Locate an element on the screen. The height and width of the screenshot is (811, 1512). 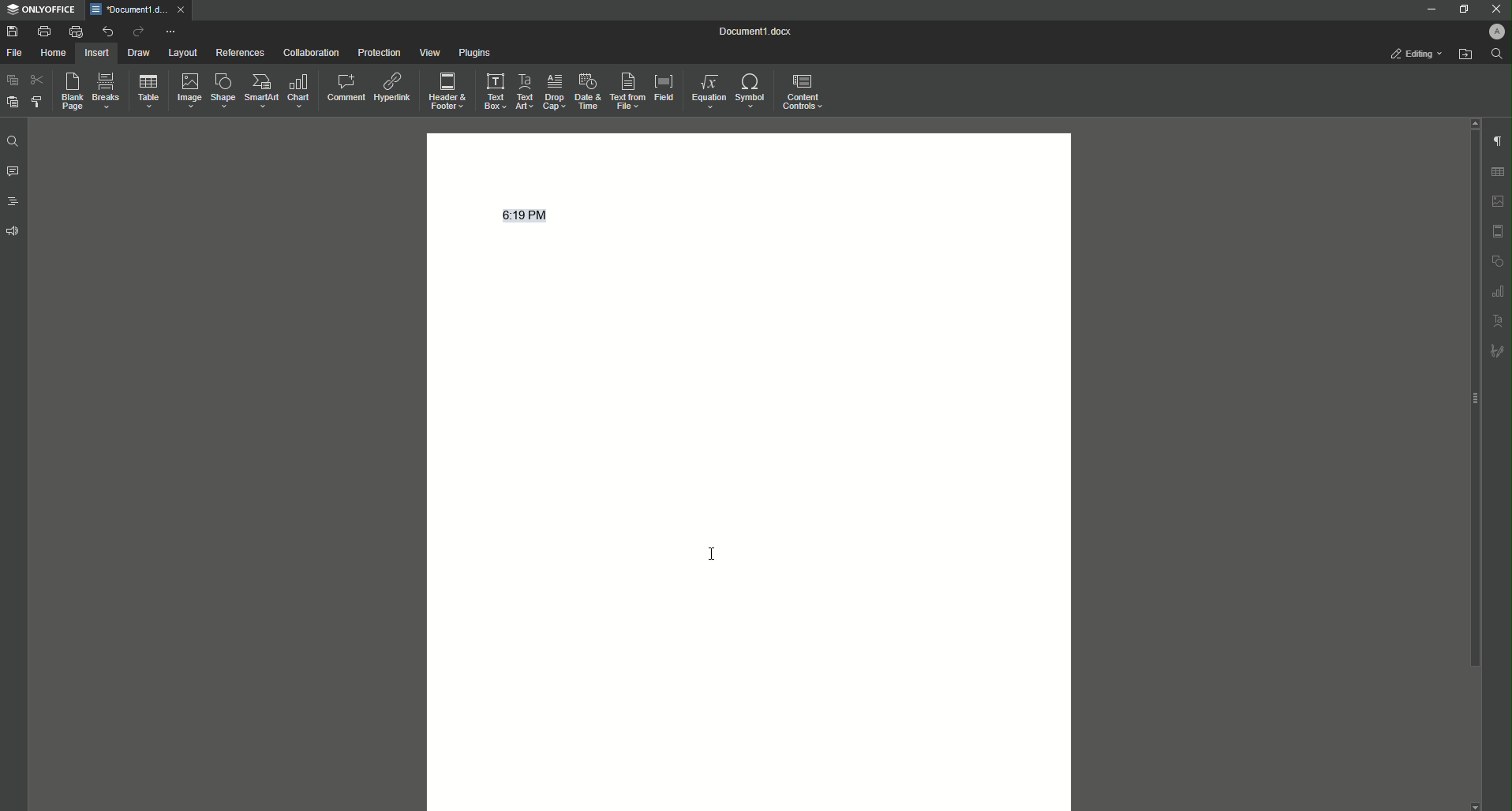
Blank Page is located at coordinates (68, 92).